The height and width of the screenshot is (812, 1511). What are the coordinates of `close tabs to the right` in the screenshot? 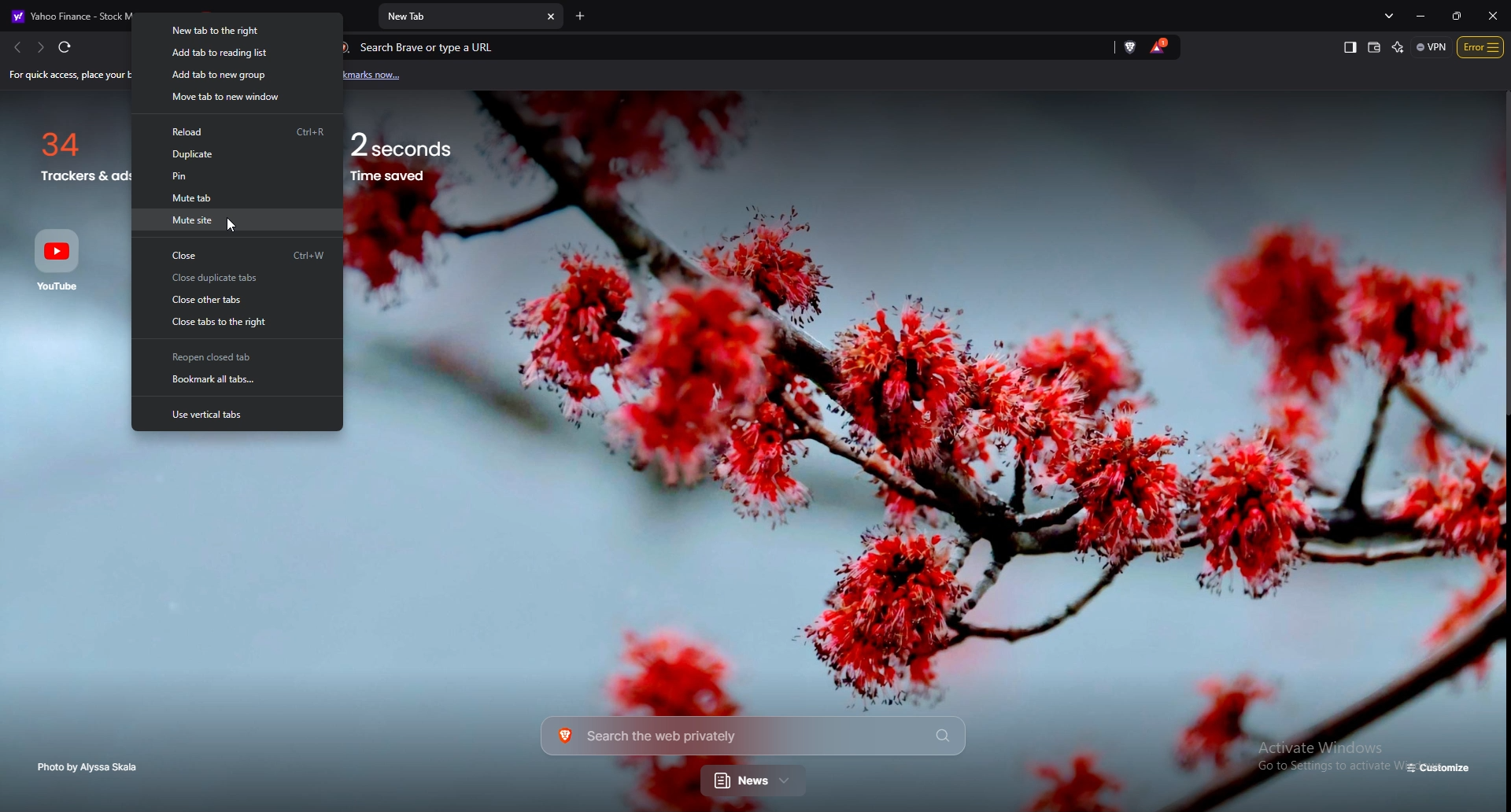 It's located at (236, 321).